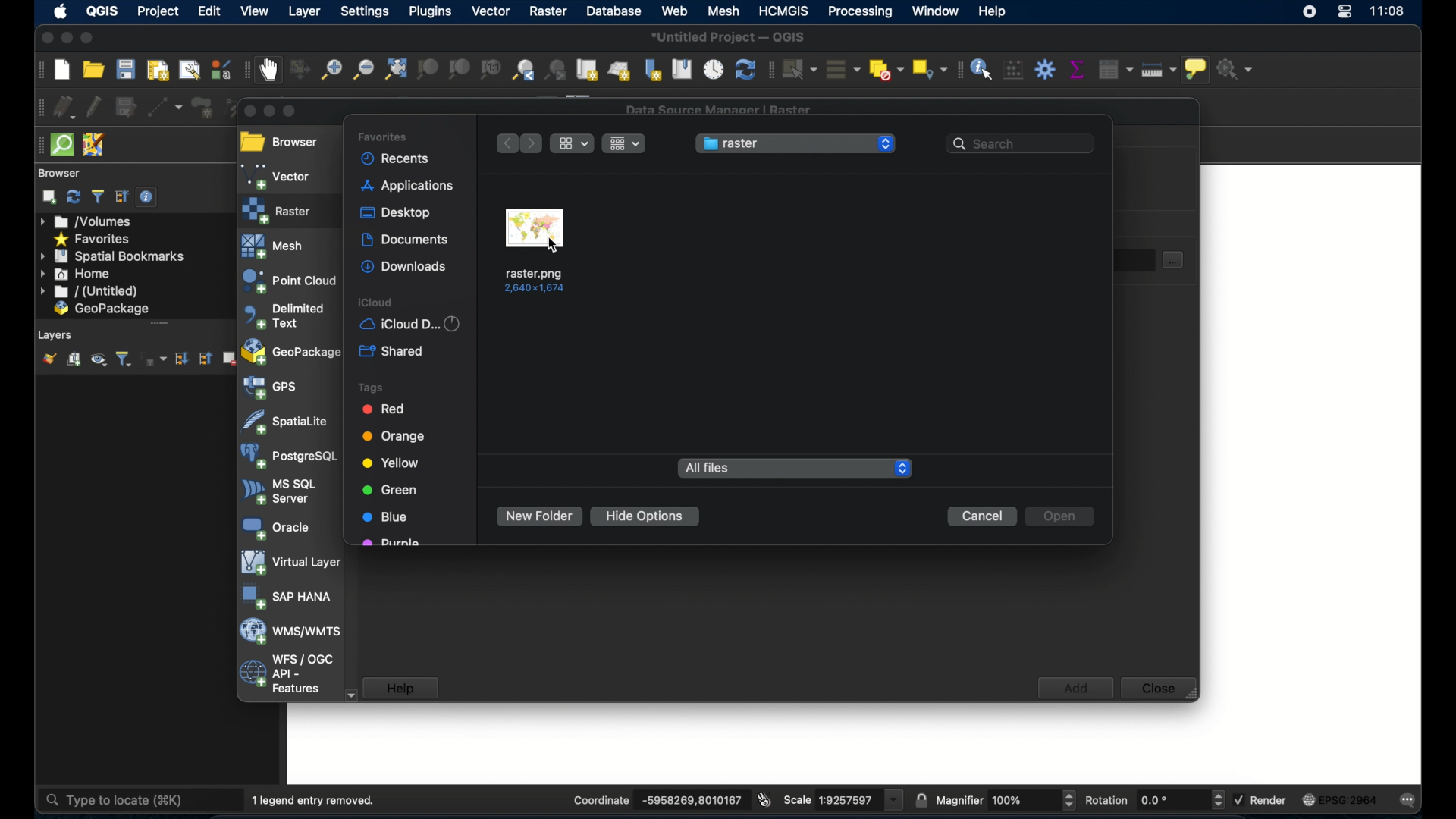  What do you see at coordinates (395, 158) in the screenshot?
I see `recents` at bounding box center [395, 158].